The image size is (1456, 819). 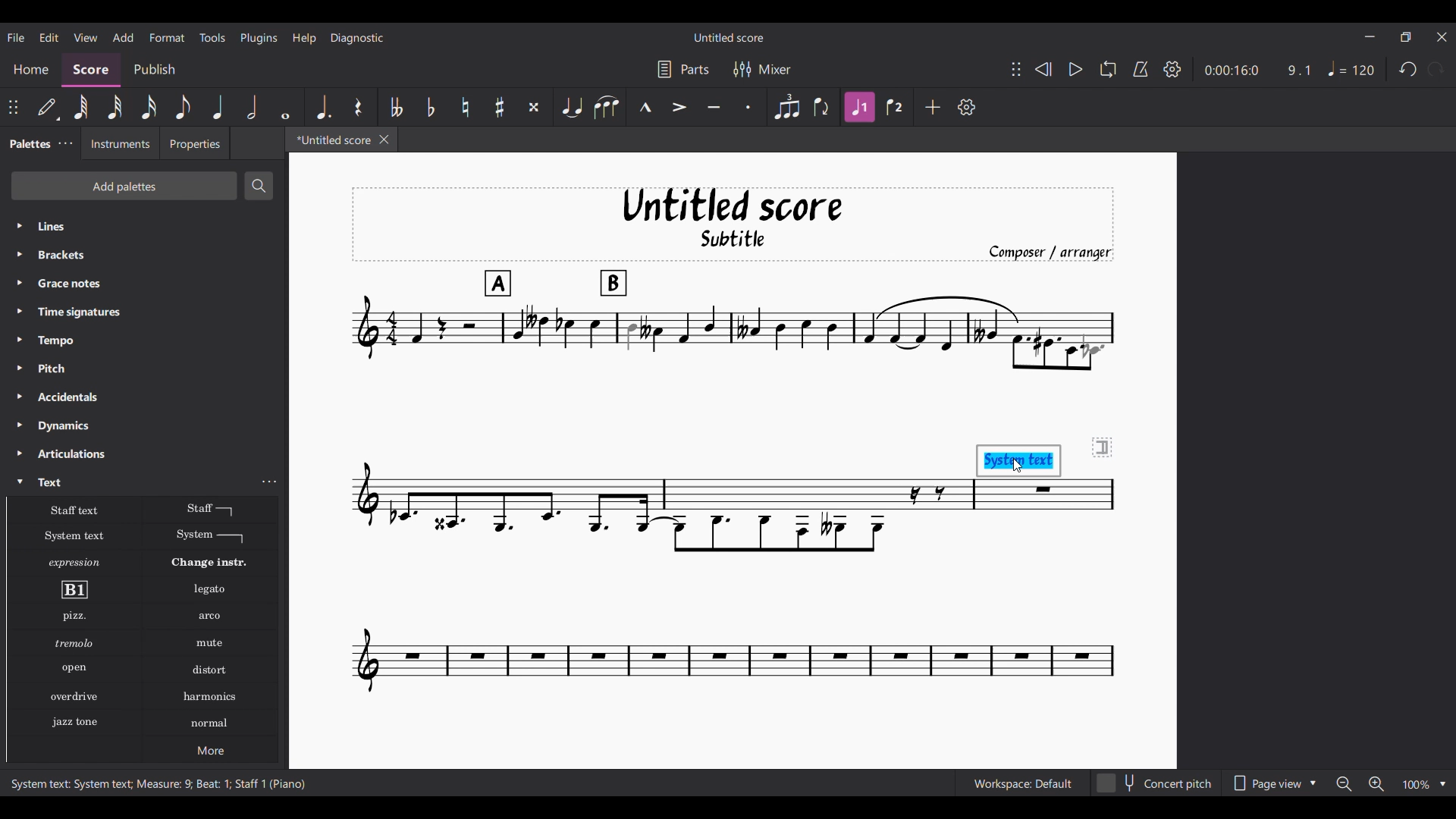 What do you see at coordinates (209, 563) in the screenshot?
I see `Change instr.` at bounding box center [209, 563].